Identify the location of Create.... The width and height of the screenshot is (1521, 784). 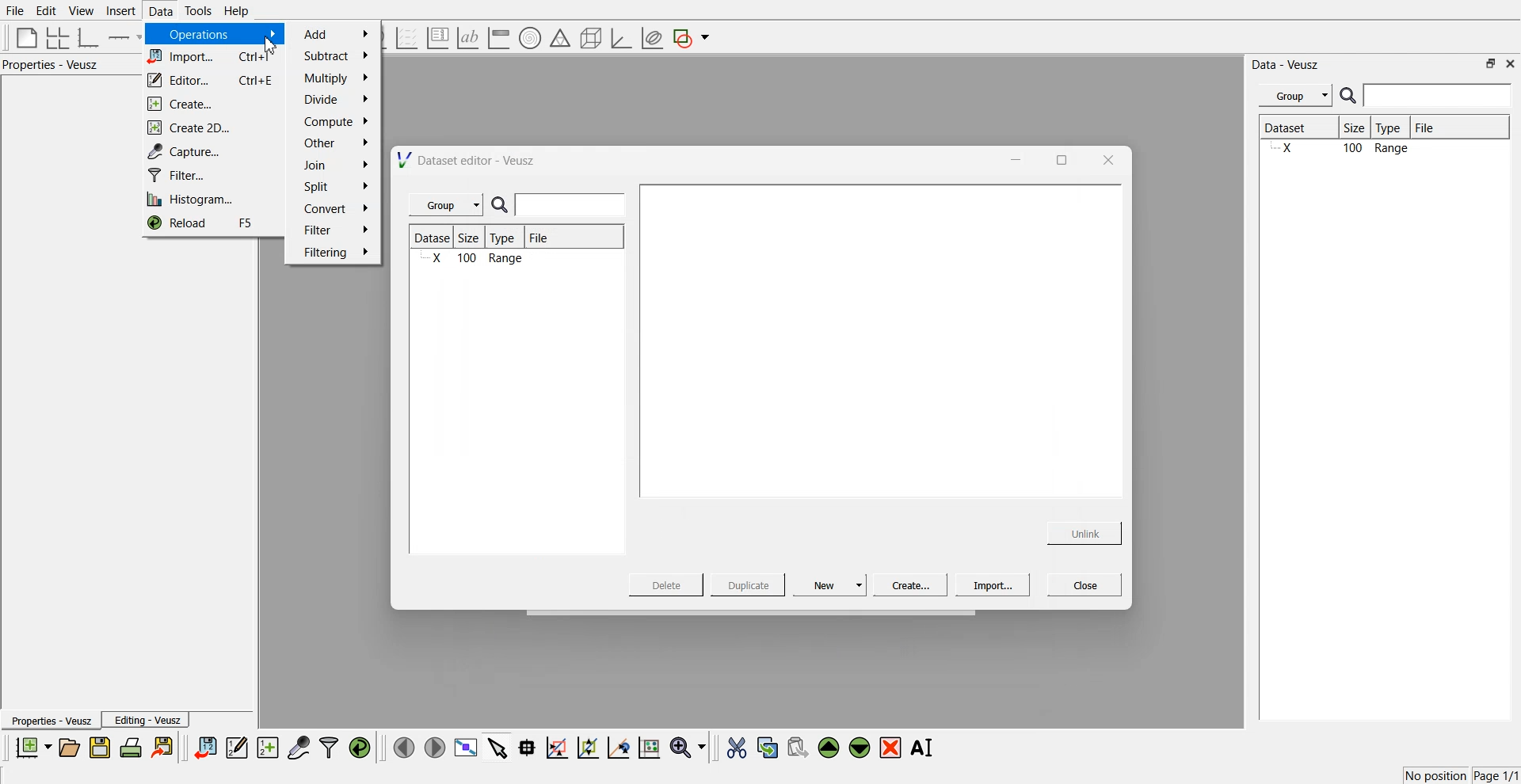
(208, 105).